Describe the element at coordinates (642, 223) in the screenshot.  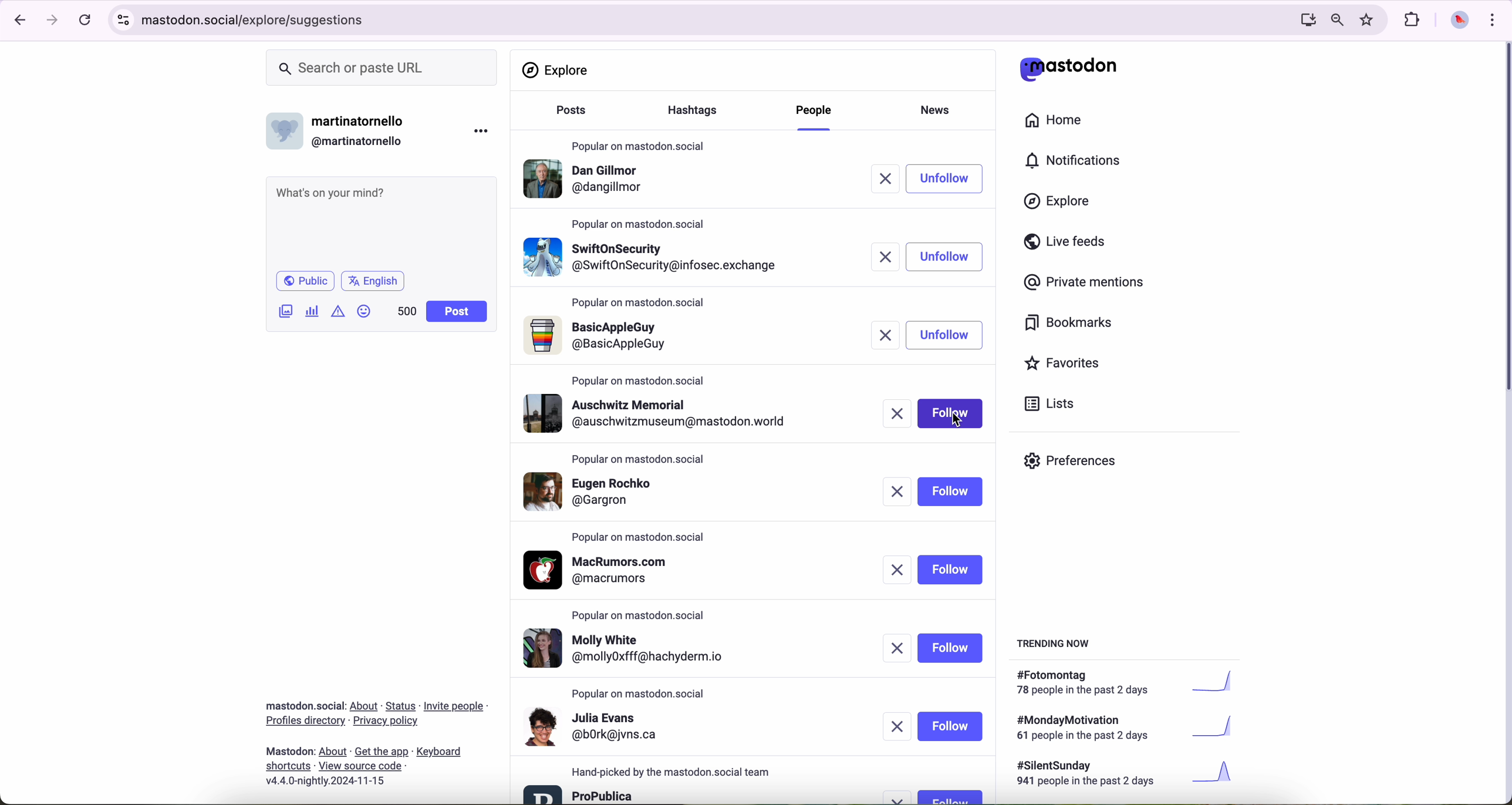
I see `popular on mastodon.social` at that location.